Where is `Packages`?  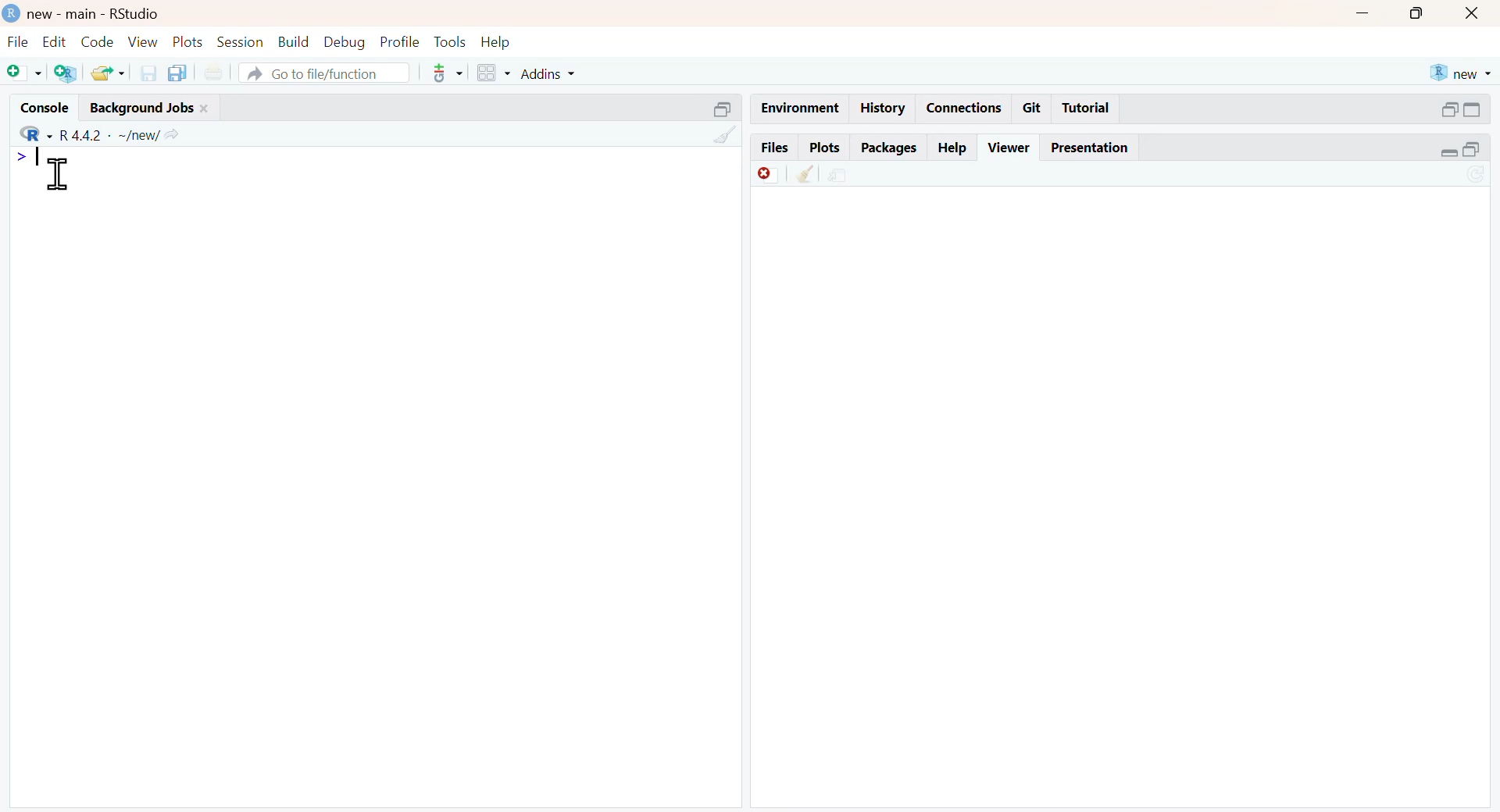
Packages is located at coordinates (891, 148).